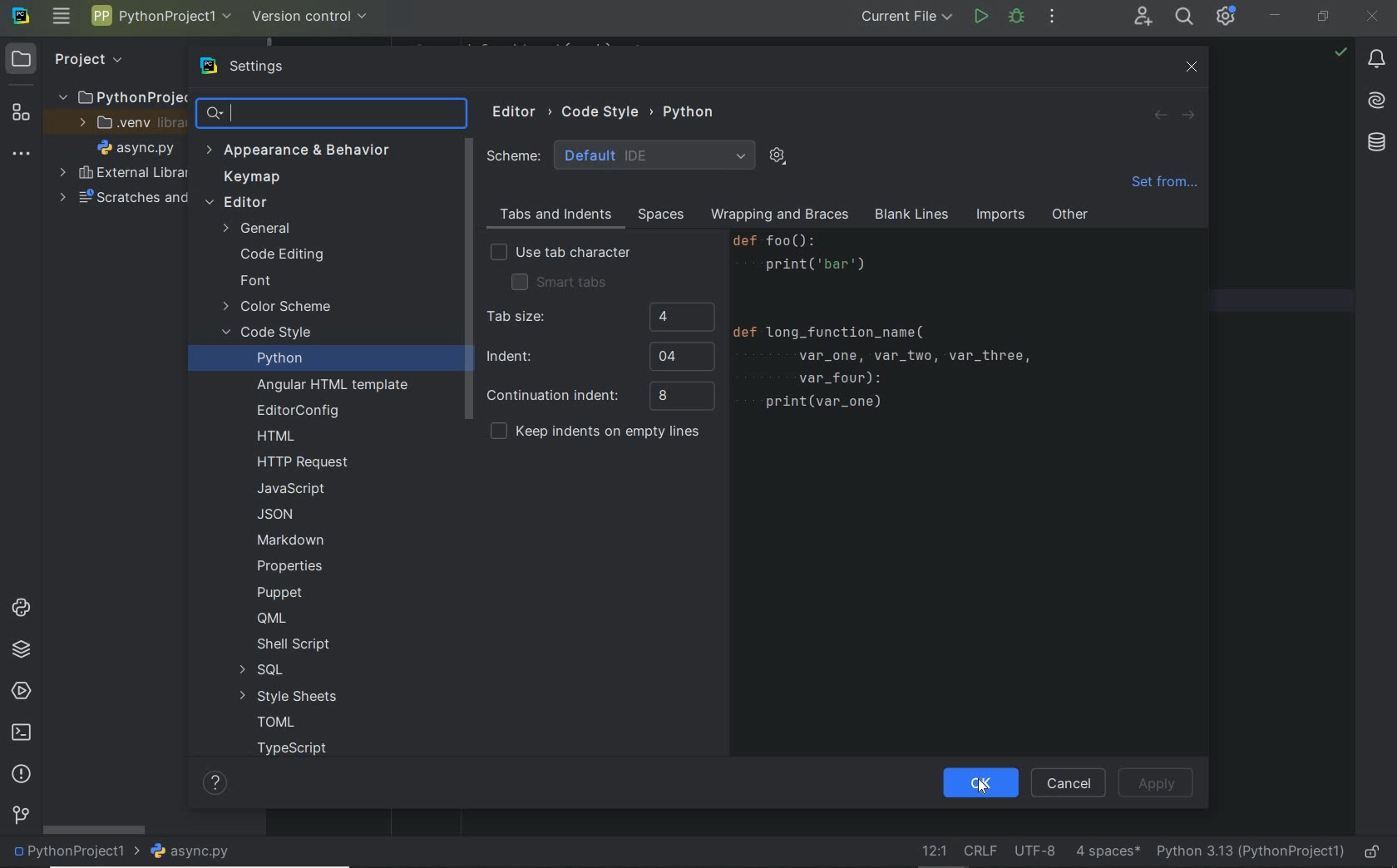 This screenshot has height=868, width=1397. What do you see at coordinates (195, 852) in the screenshot?
I see `file name` at bounding box center [195, 852].